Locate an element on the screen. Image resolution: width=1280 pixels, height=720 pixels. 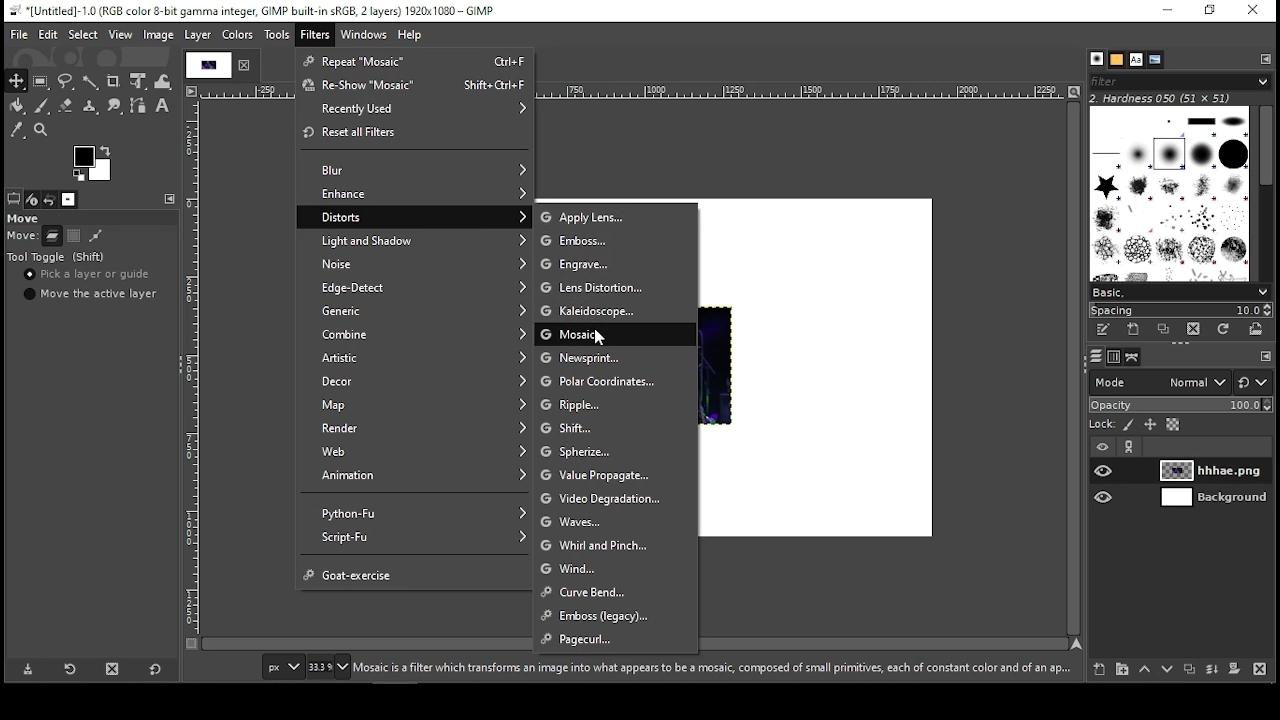
undo history is located at coordinates (48, 199).